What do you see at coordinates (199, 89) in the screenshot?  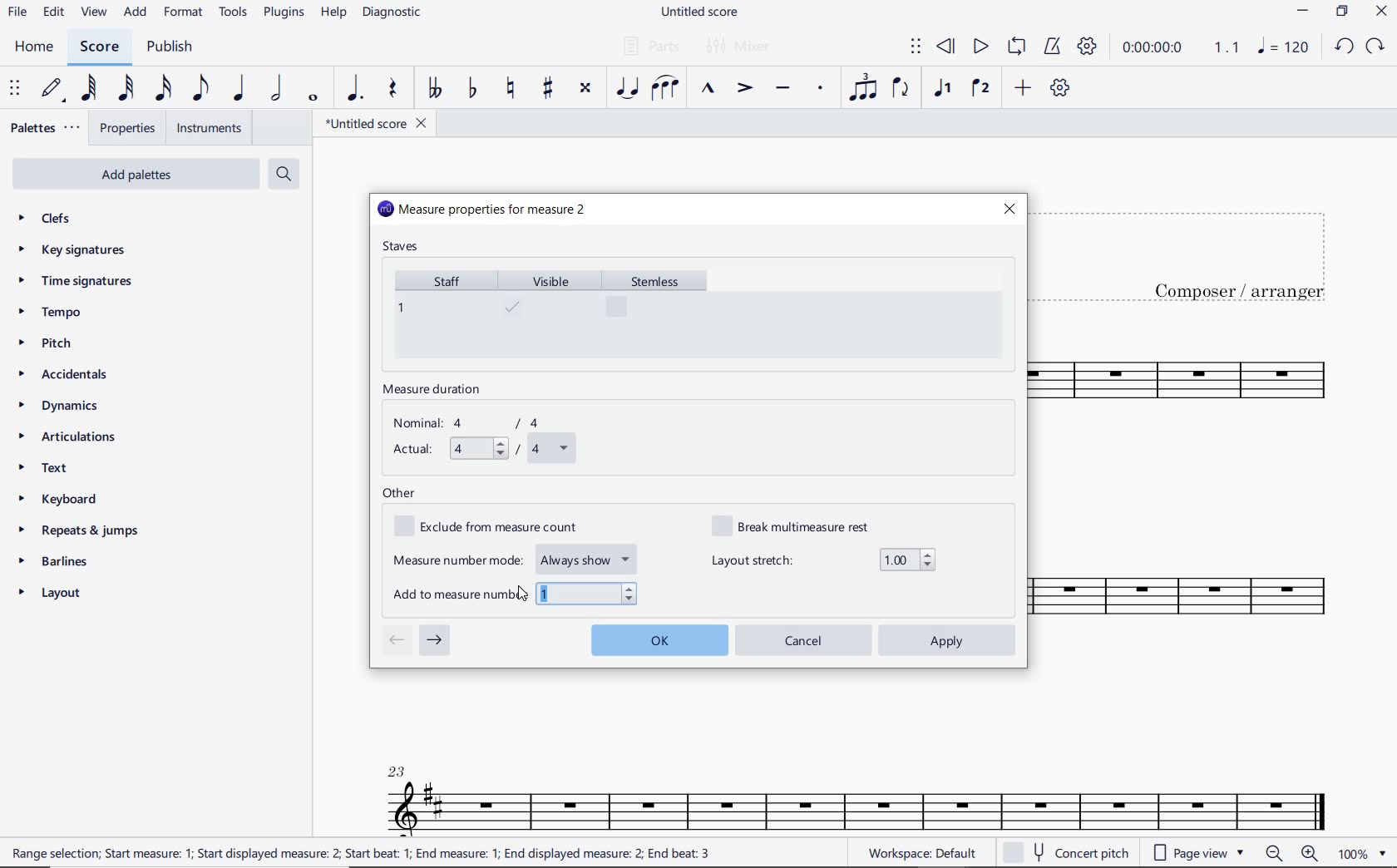 I see `EIGHTH NOTE` at bounding box center [199, 89].